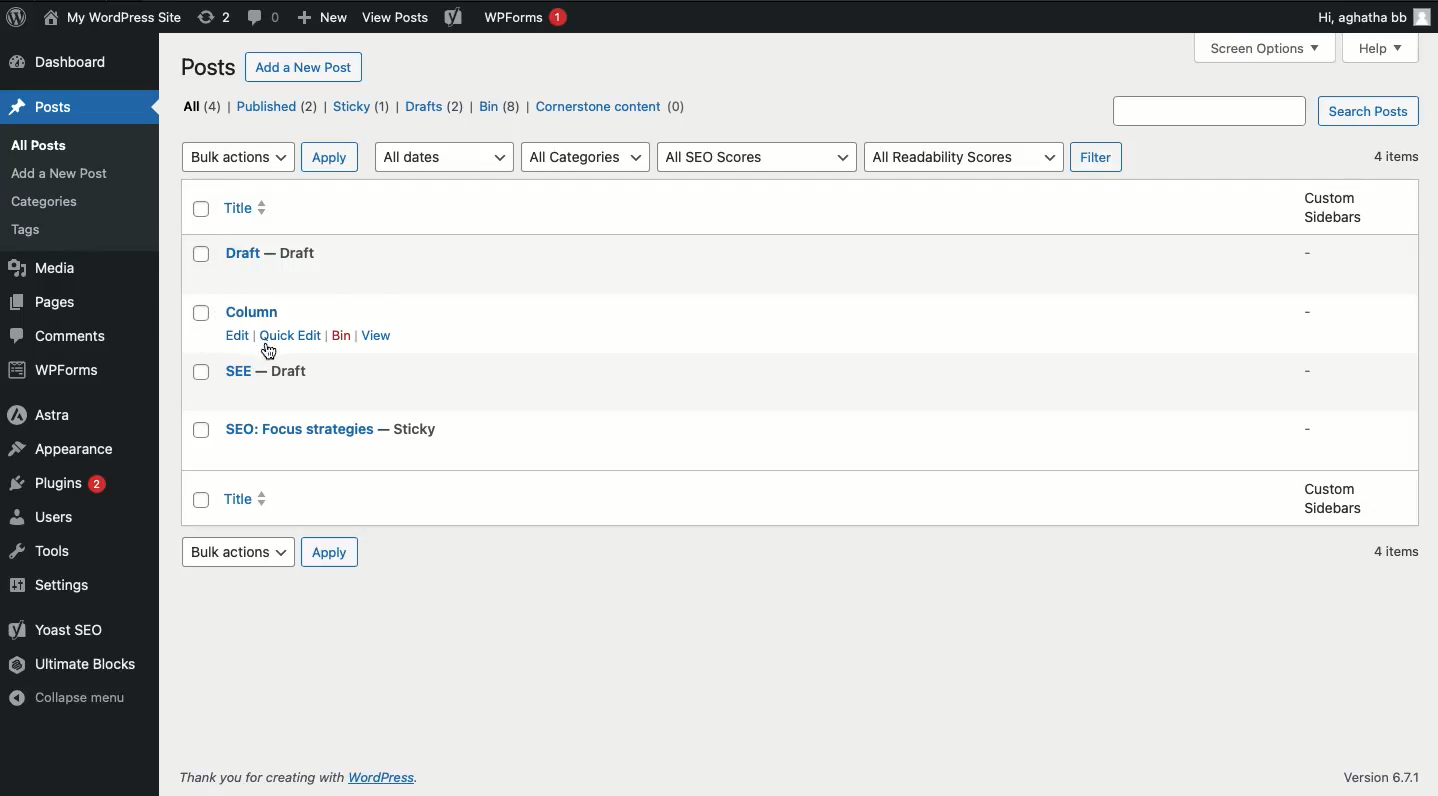  Describe the element at coordinates (41, 268) in the screenshot. I see `Media` at that location.